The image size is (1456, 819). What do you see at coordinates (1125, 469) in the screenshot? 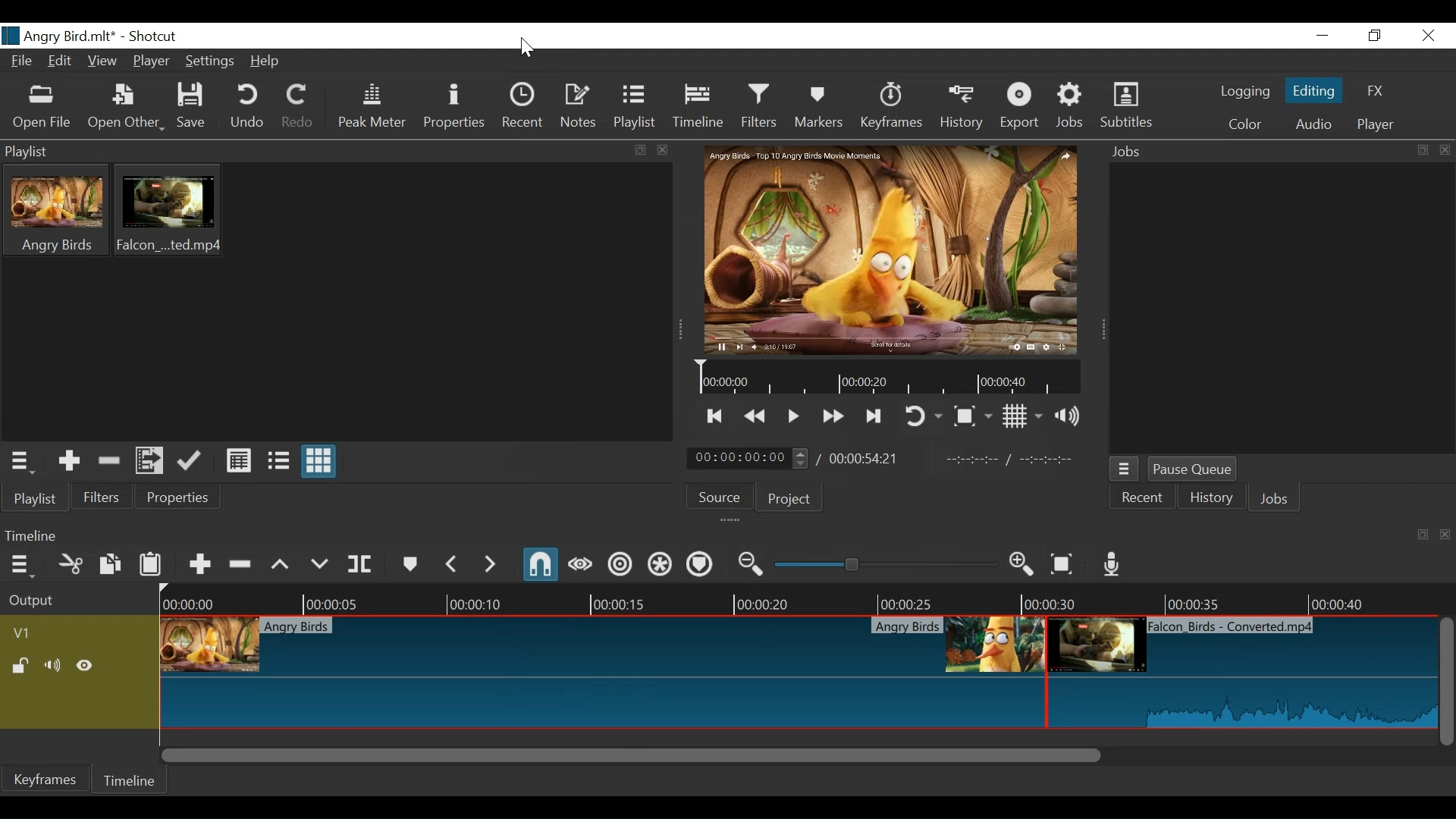
I see `Jobs Menu` at bounding box center [1125, 469].